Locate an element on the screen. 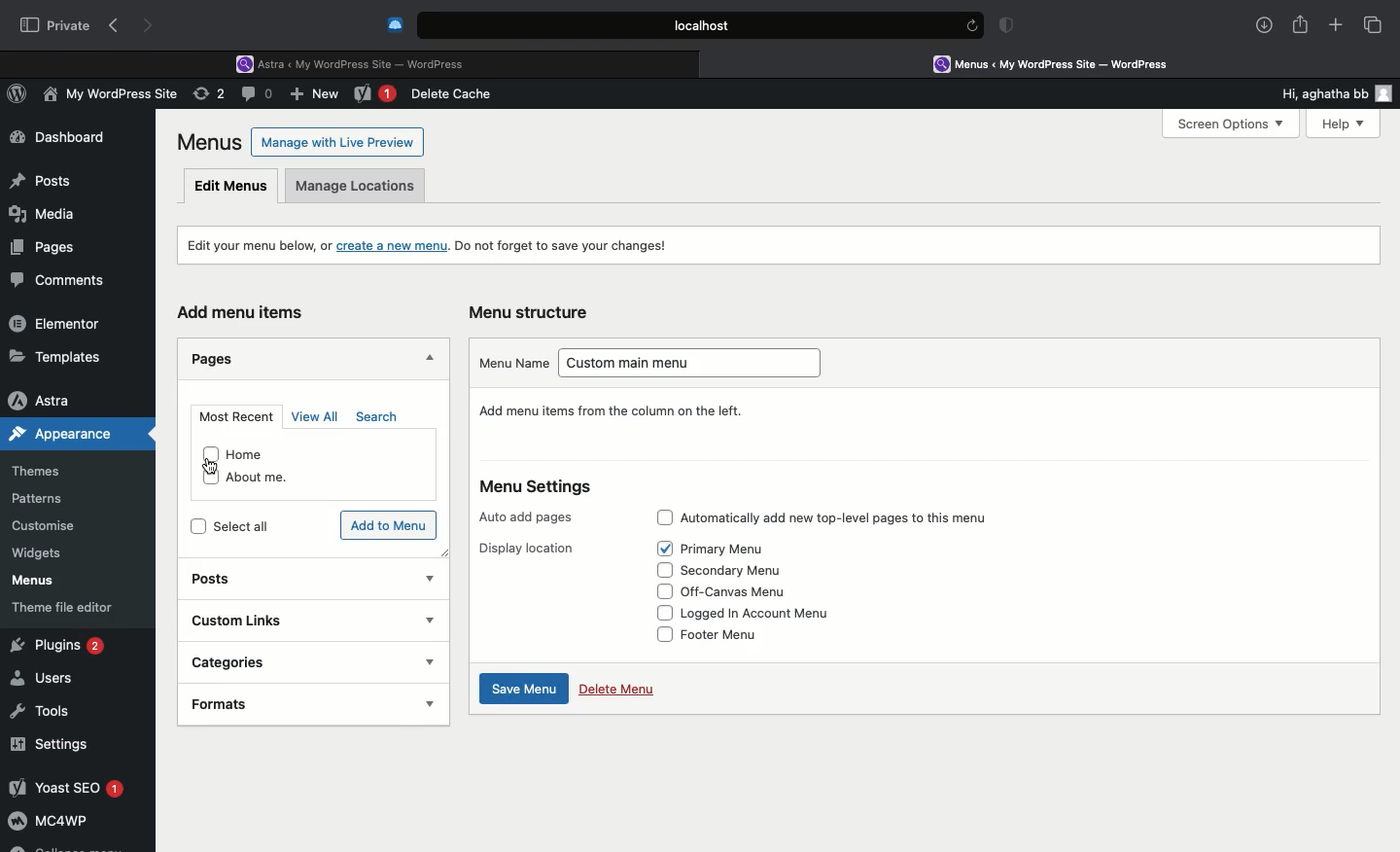 Image resolution: width=1400 pixels, height=852 pixels. show is located at coordinates (424, 706).